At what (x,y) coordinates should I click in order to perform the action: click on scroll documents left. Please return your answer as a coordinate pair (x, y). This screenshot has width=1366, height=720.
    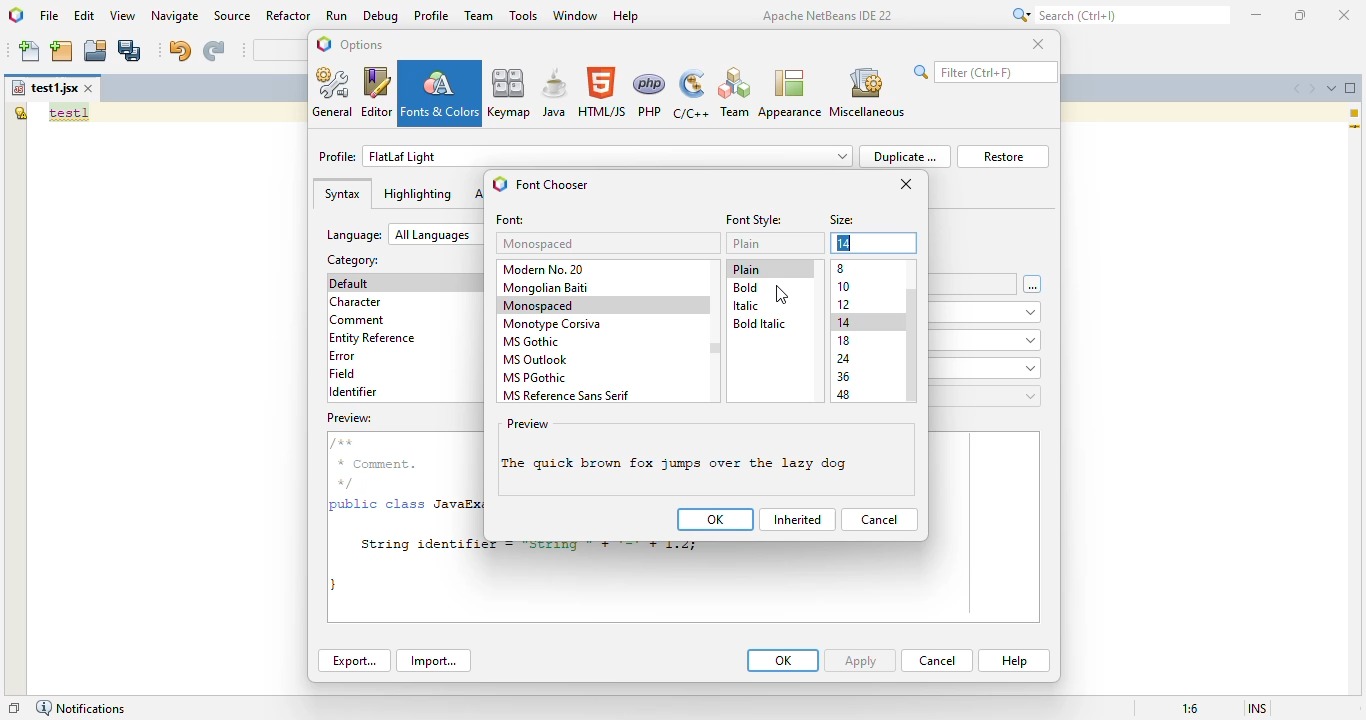
    Looking at the image, I should click on (1294, 87).